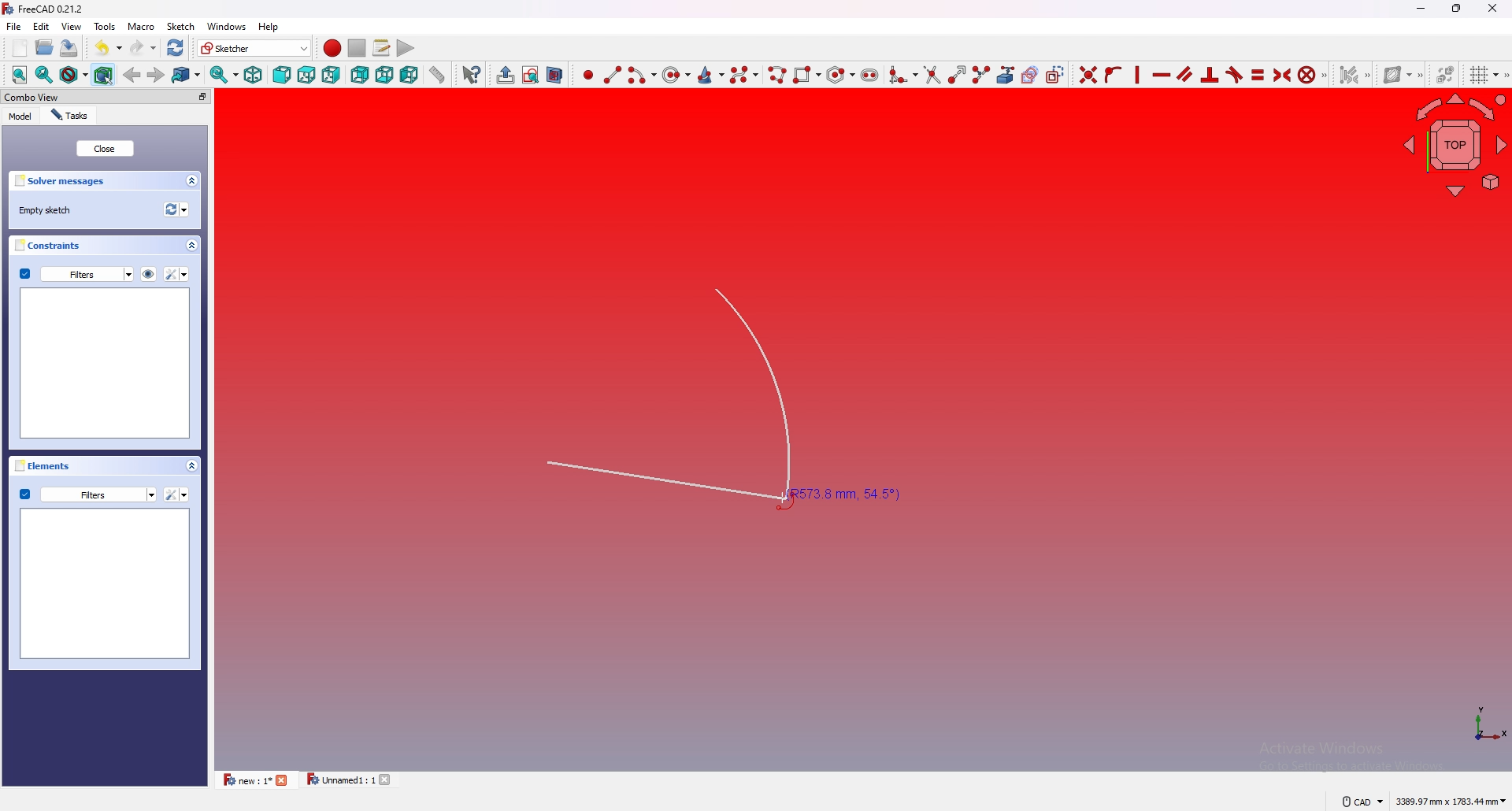 The width and height of the screenshot is (1512, 811). Describe the element at coordinates (1088, 73) in the screenshot. I see `constraint coincident` at that location.